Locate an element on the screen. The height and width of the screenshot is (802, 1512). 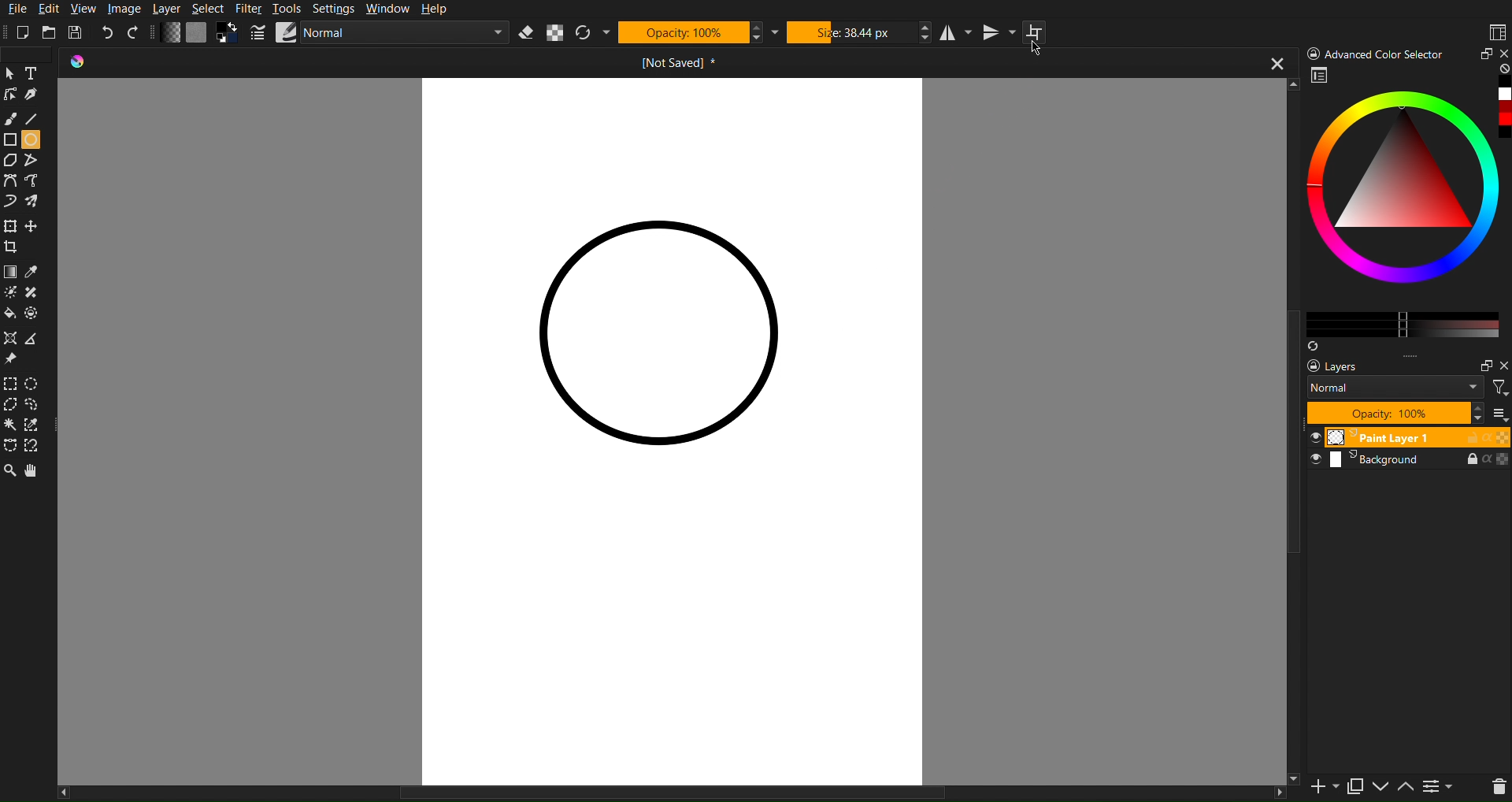
Free tool is located at coordinates (35, 446).